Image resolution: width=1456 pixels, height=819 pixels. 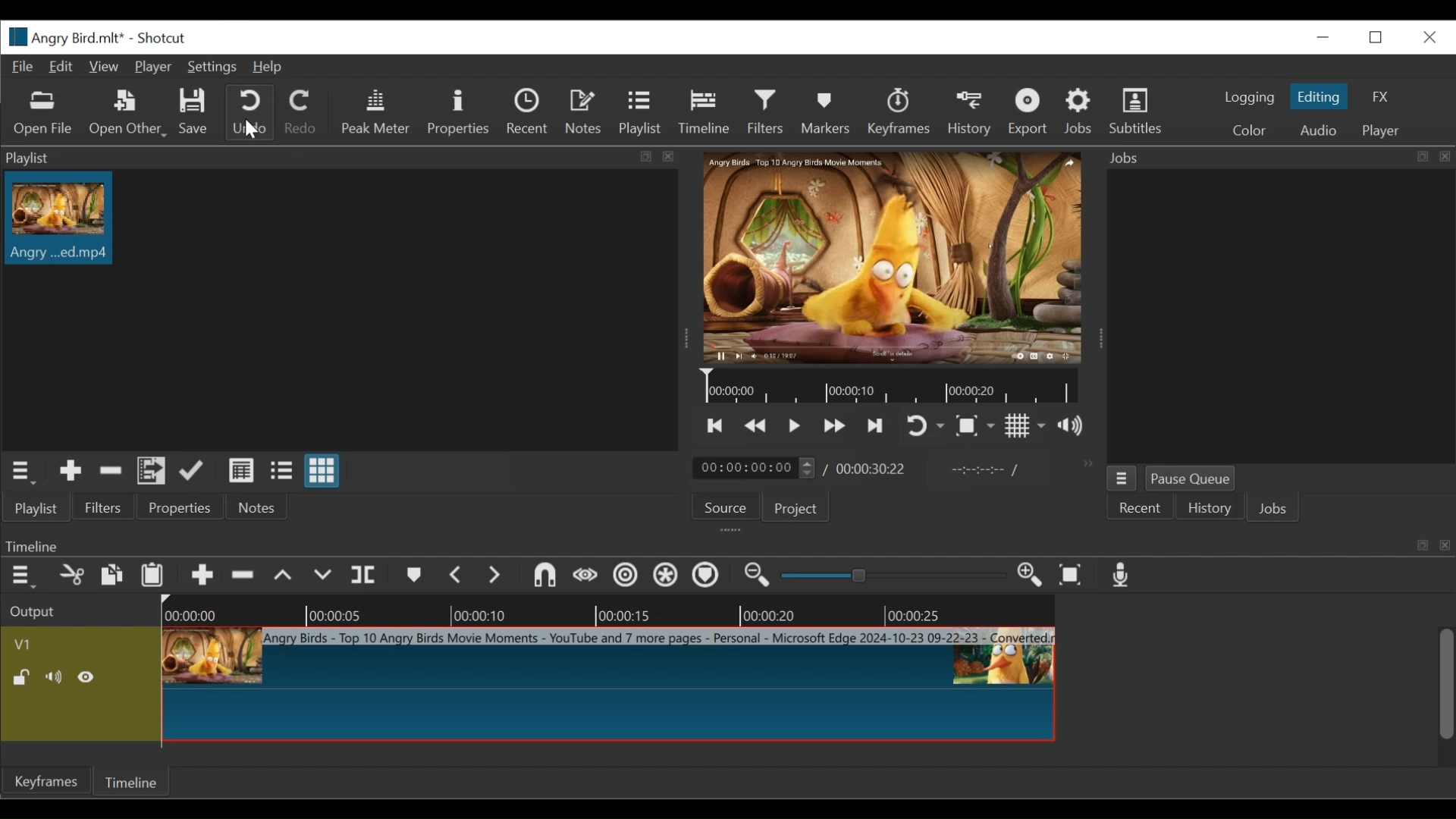 I want to click on Undo, so click(x=249, y=112).